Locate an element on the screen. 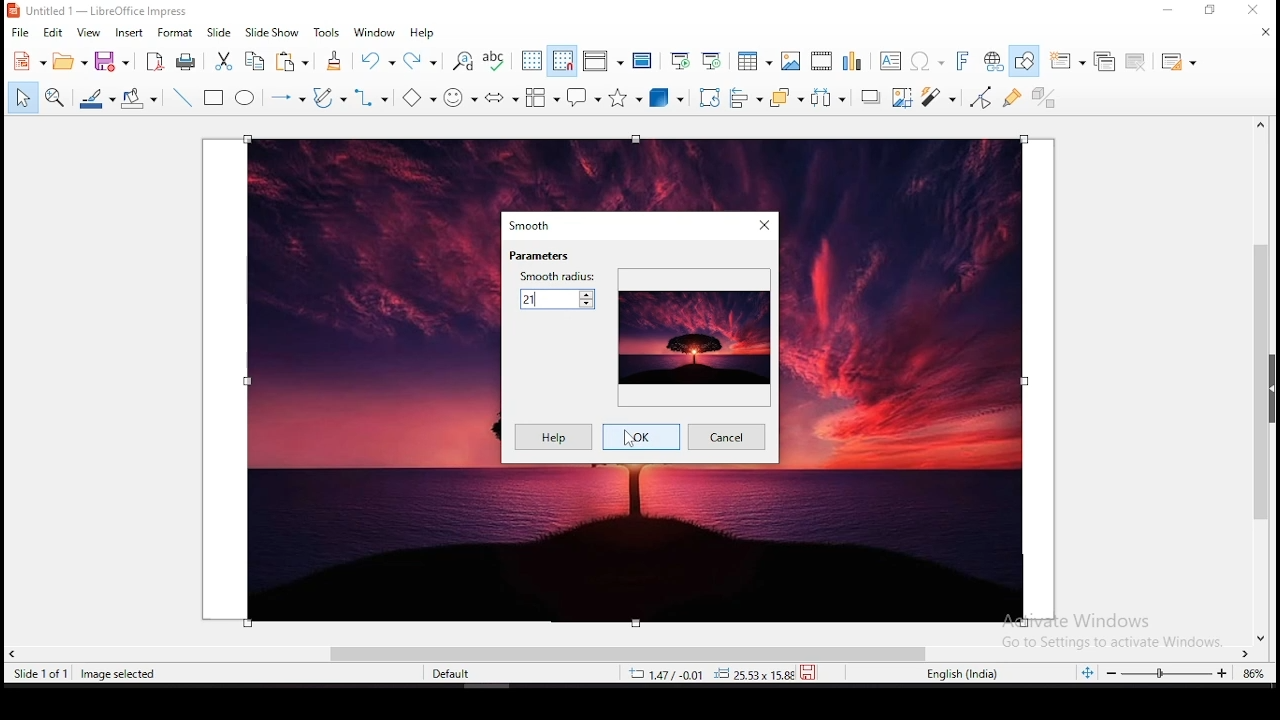 This screenshot has height=720, width=1280. close is located at coordinates (1264, 32).